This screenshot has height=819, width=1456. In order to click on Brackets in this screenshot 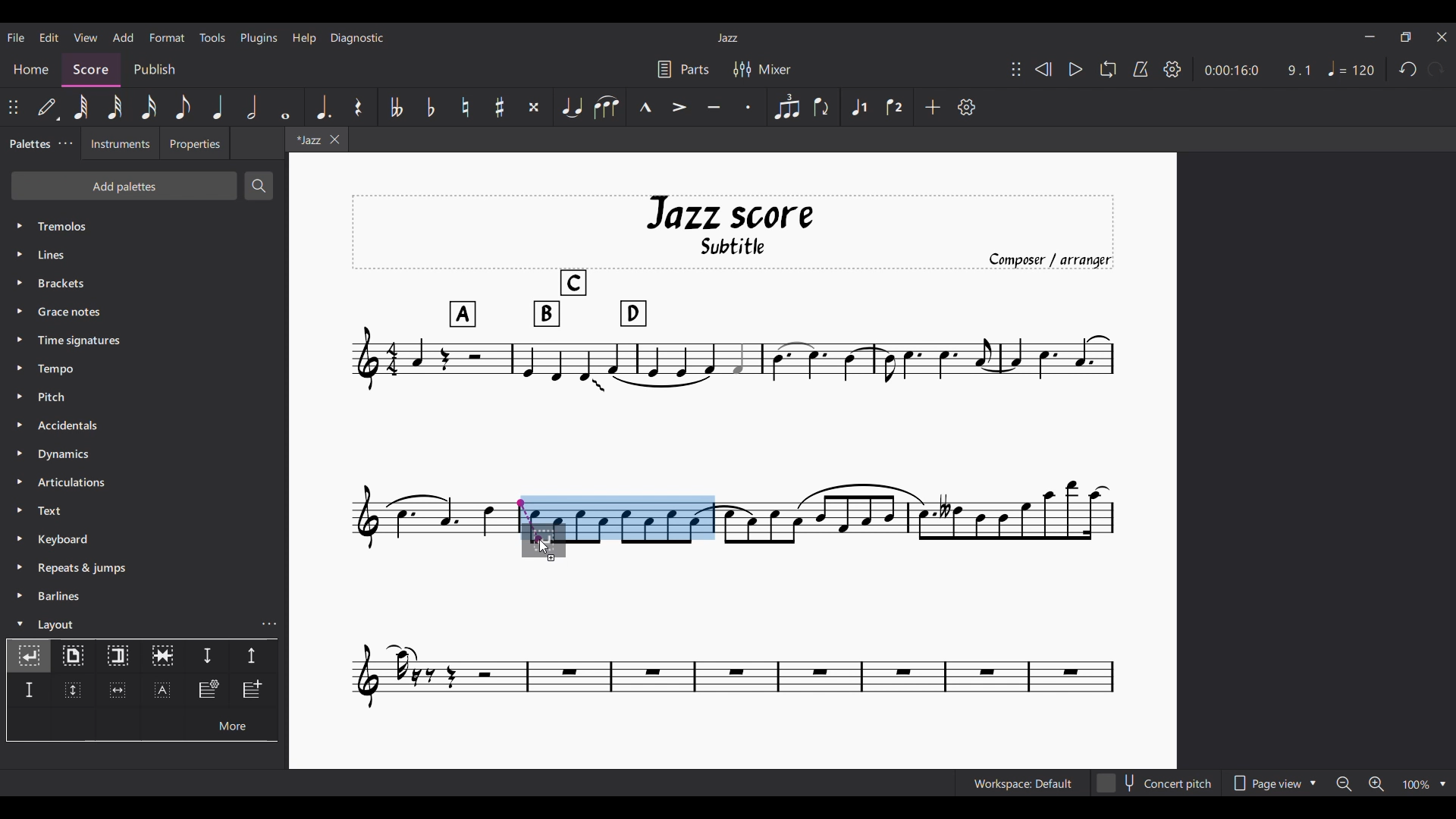, I will do `click(144, 283)`.